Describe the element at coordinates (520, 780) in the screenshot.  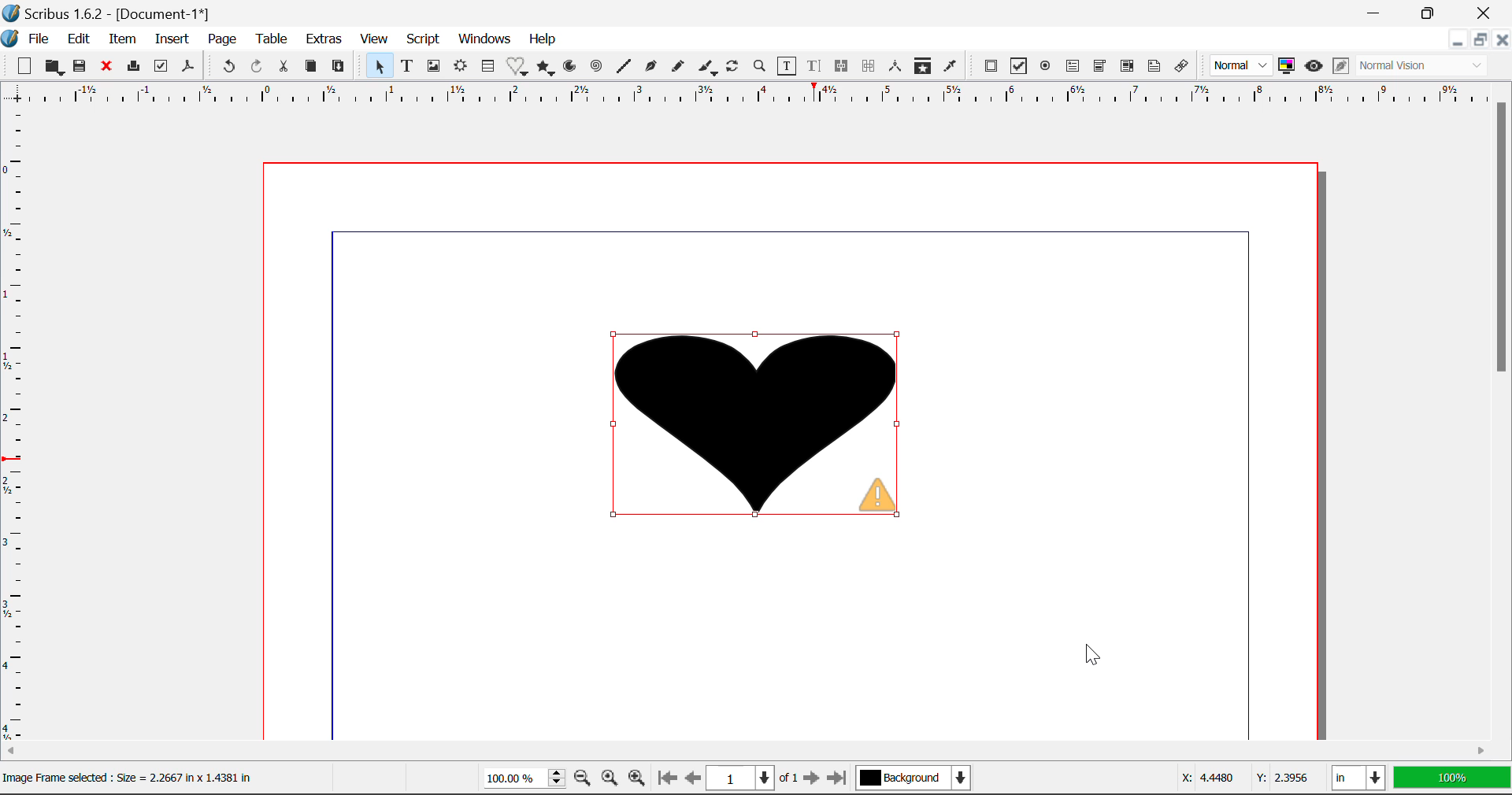
I see `100%` at that location.